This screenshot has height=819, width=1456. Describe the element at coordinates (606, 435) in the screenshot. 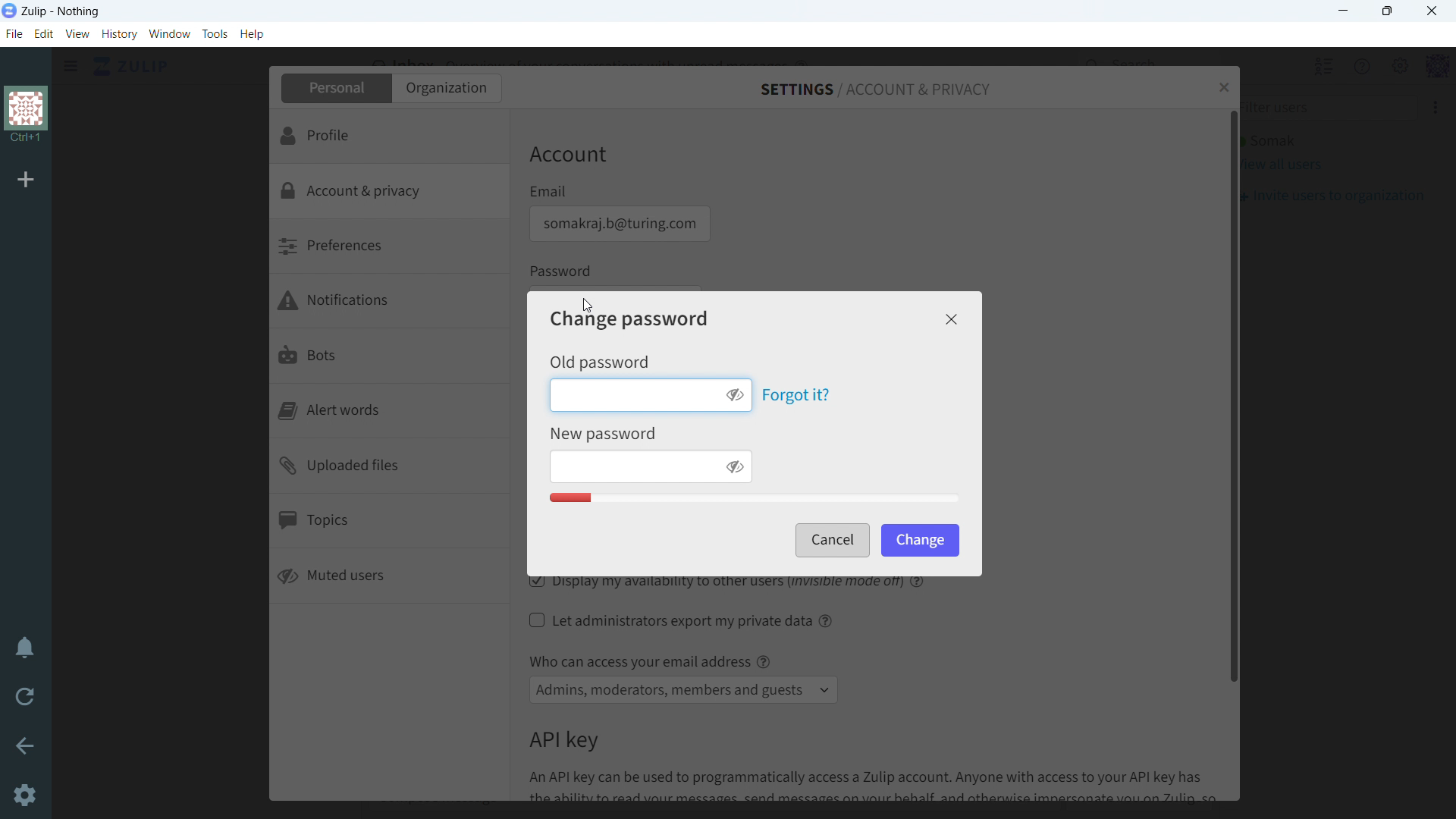

I see `New Password` at that location.